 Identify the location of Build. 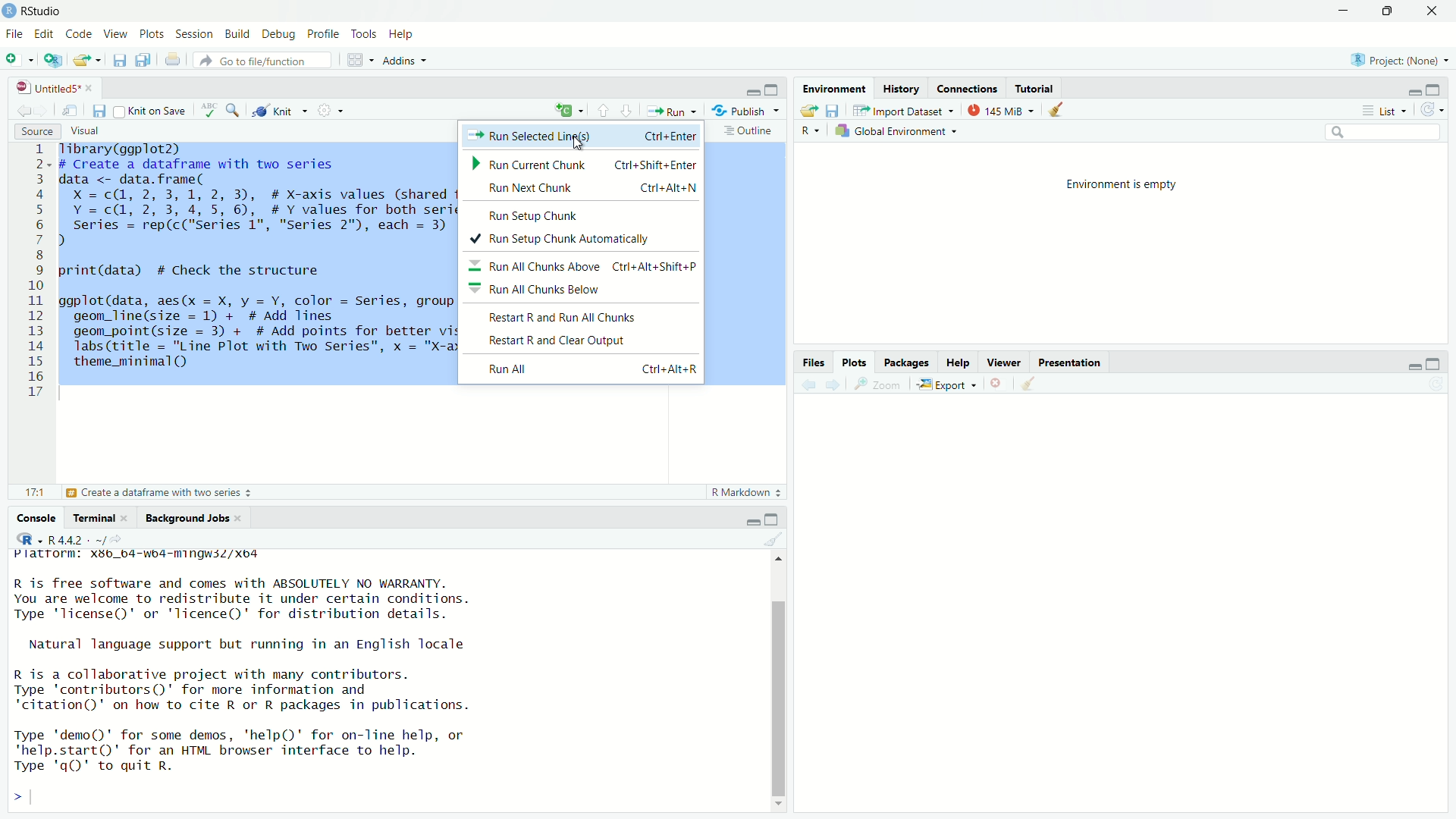
(237, 36).